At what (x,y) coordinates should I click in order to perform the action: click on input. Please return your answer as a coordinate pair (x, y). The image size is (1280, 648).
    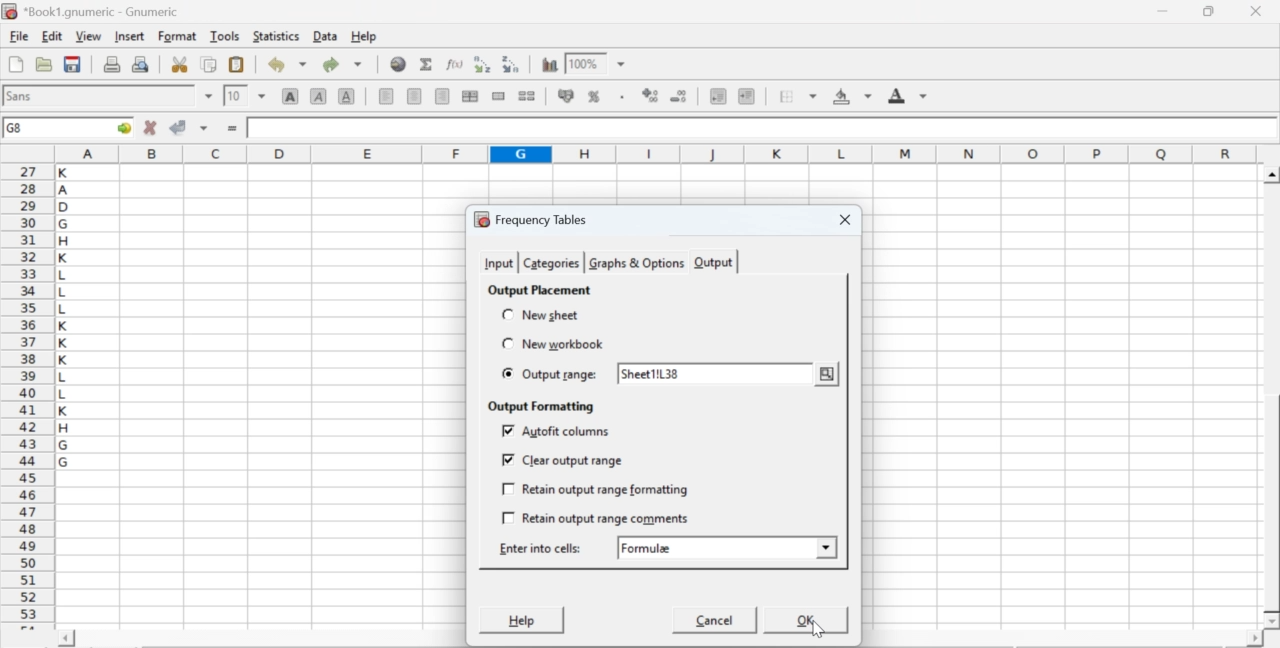
    Looking at the image, I should click on (498, 263).